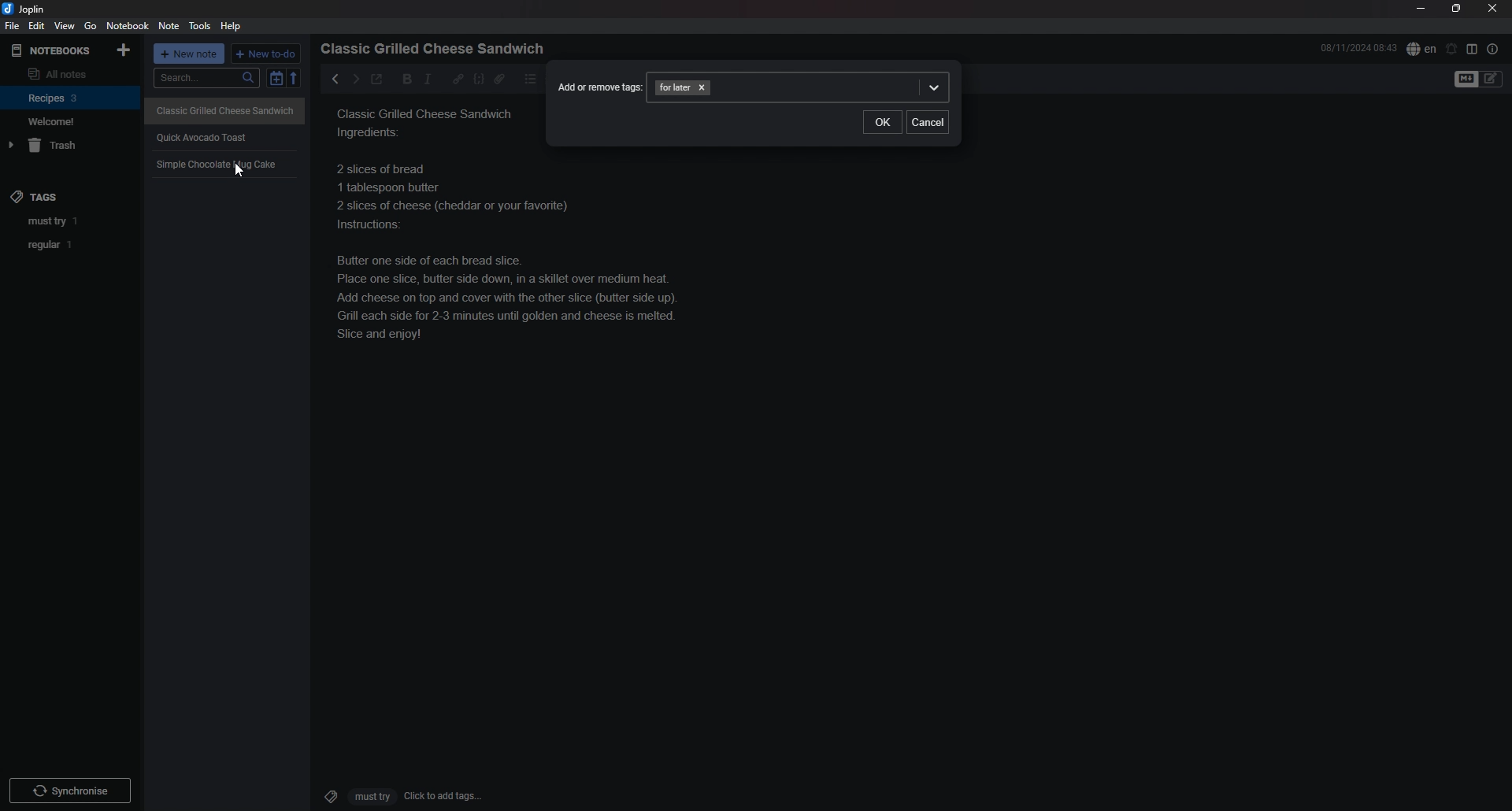 This screenshot has height=811, width=1512. What do you see at coordinates (1421, 48) in the screenshot?
I see `spell check` at bounding box center [1421, 48].